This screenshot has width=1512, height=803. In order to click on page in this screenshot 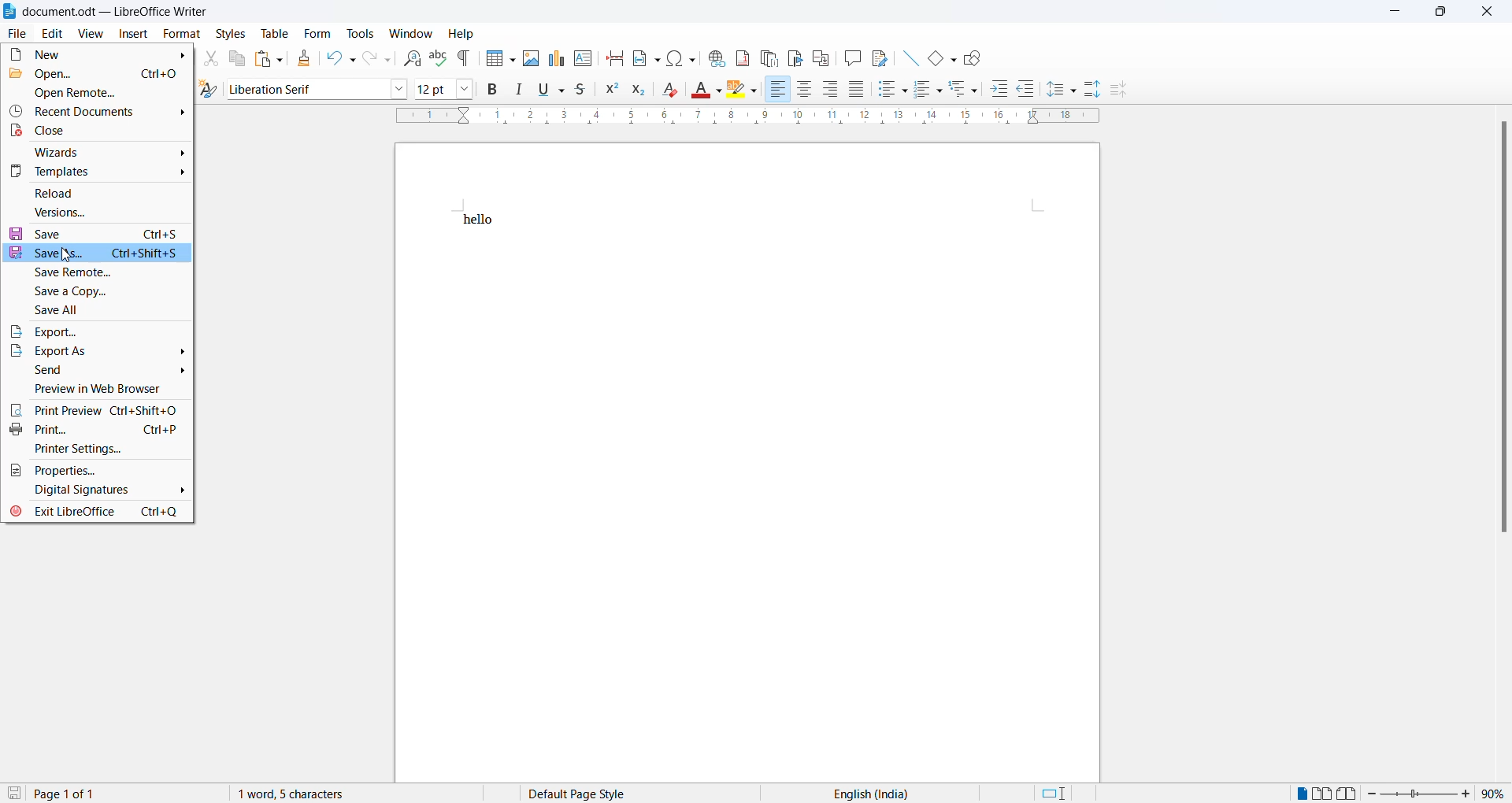, I will do `click(747, 175)`.